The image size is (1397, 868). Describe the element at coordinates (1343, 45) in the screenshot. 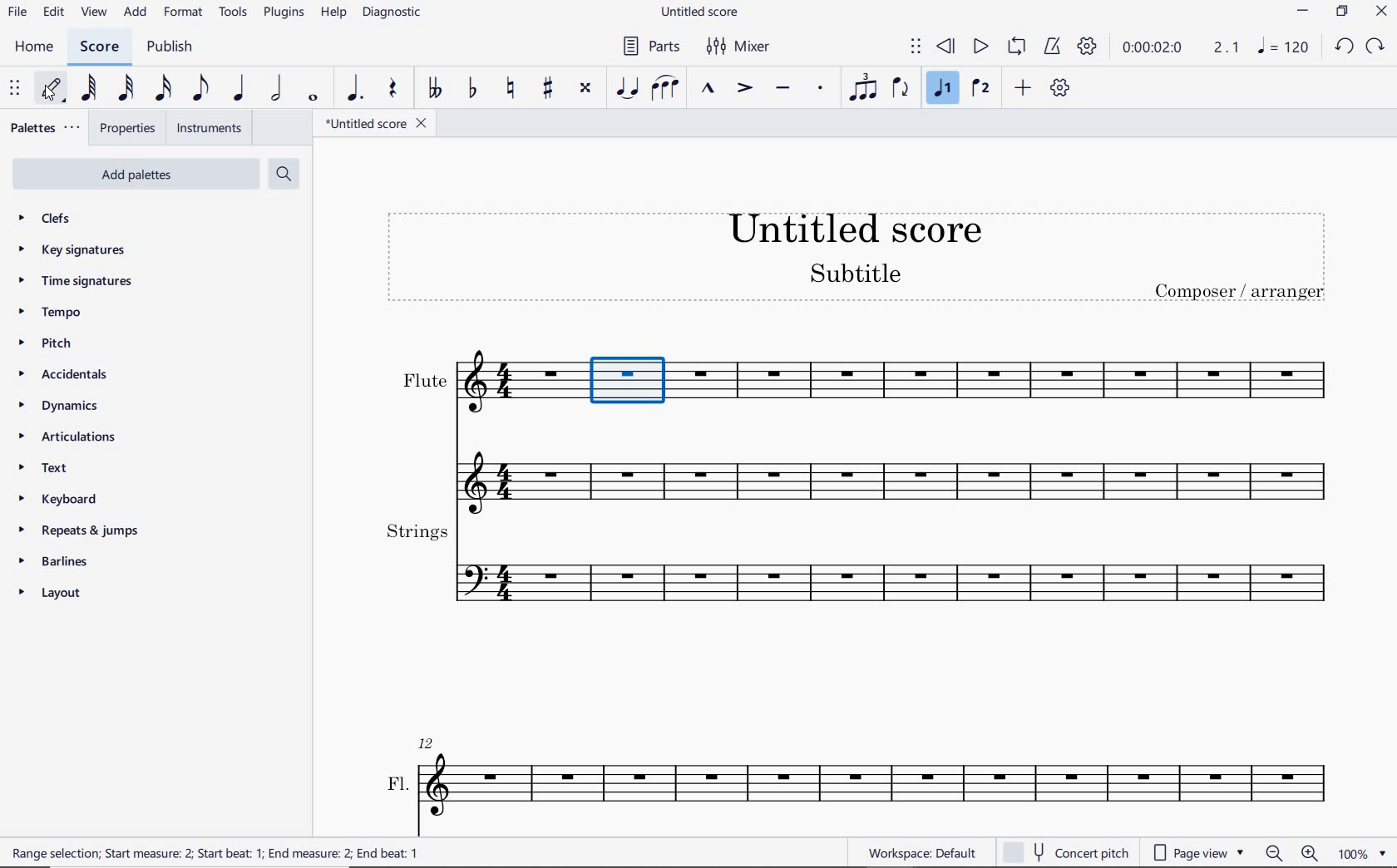

I see `undo` at that location.